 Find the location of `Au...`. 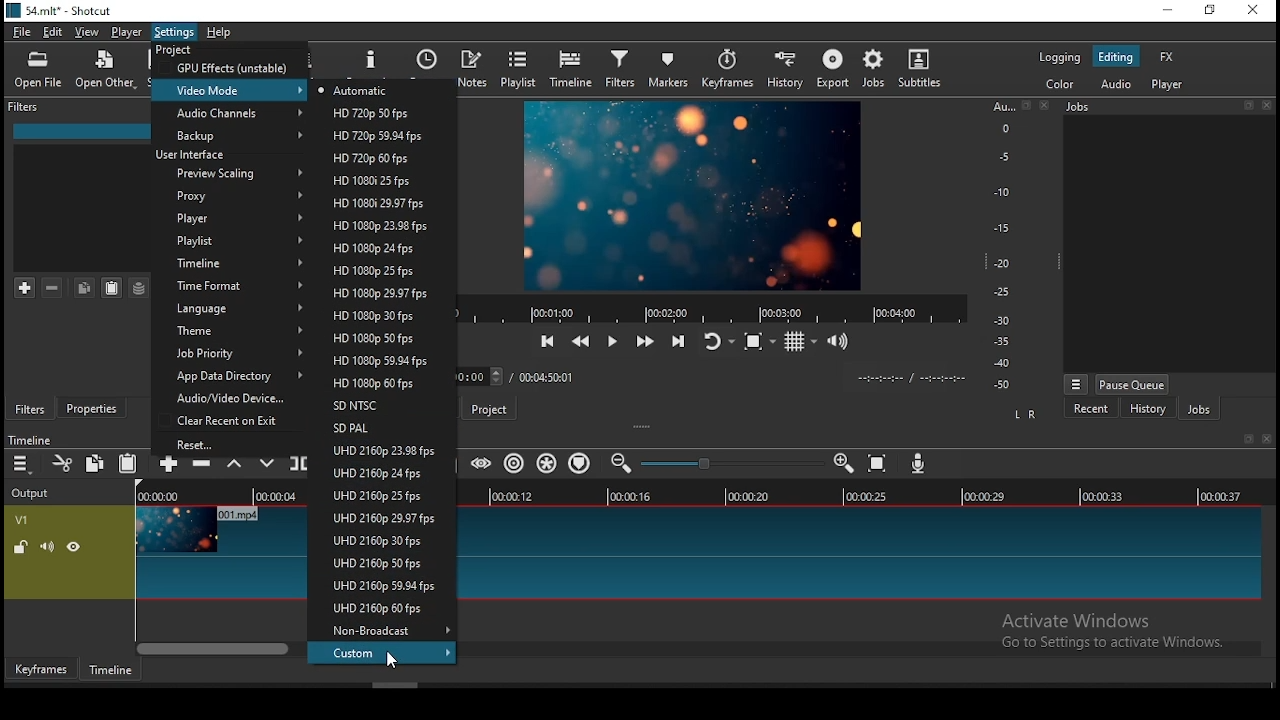

Au... is located at coordinates (1000, 106).